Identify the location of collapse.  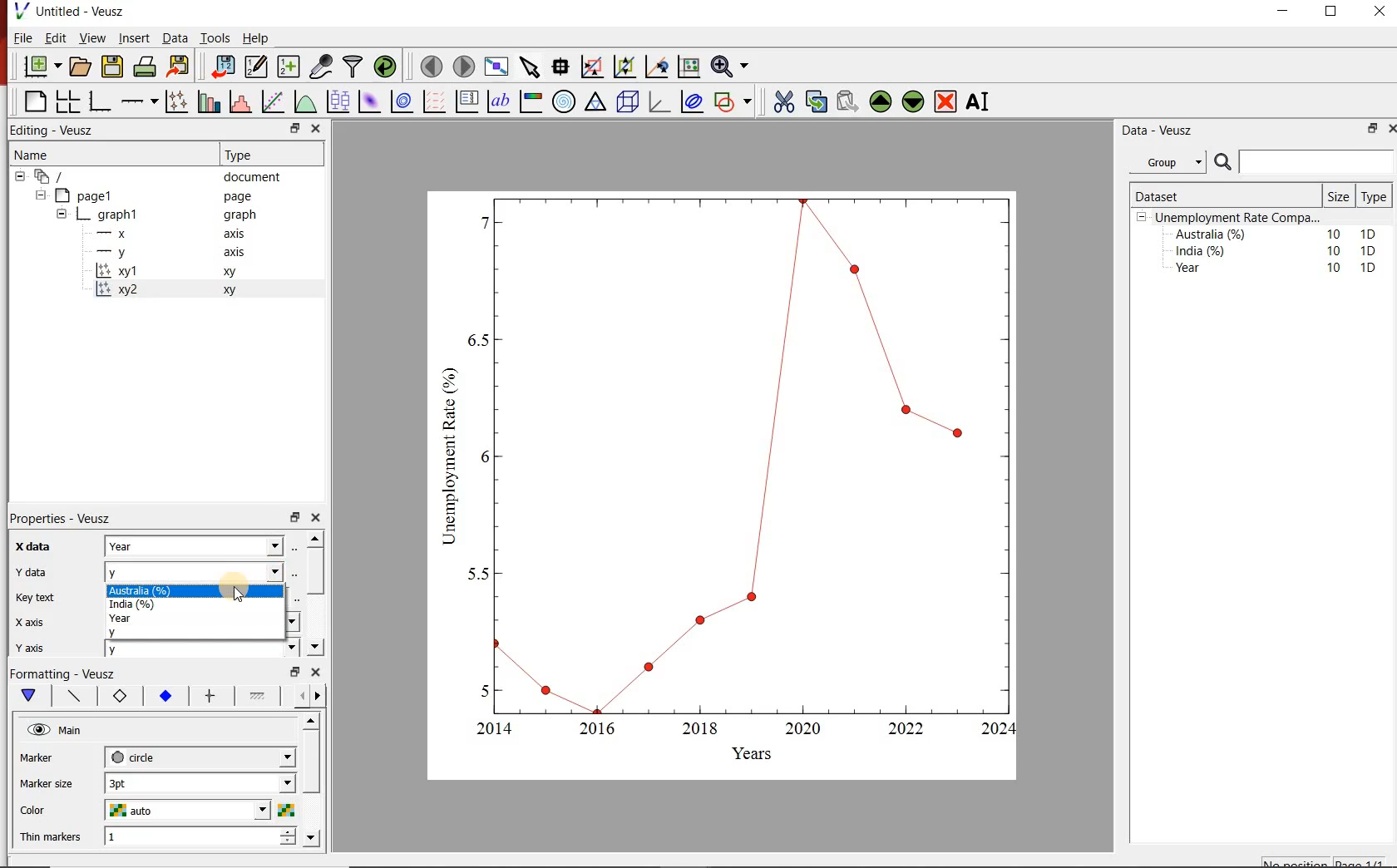
(19, 176).